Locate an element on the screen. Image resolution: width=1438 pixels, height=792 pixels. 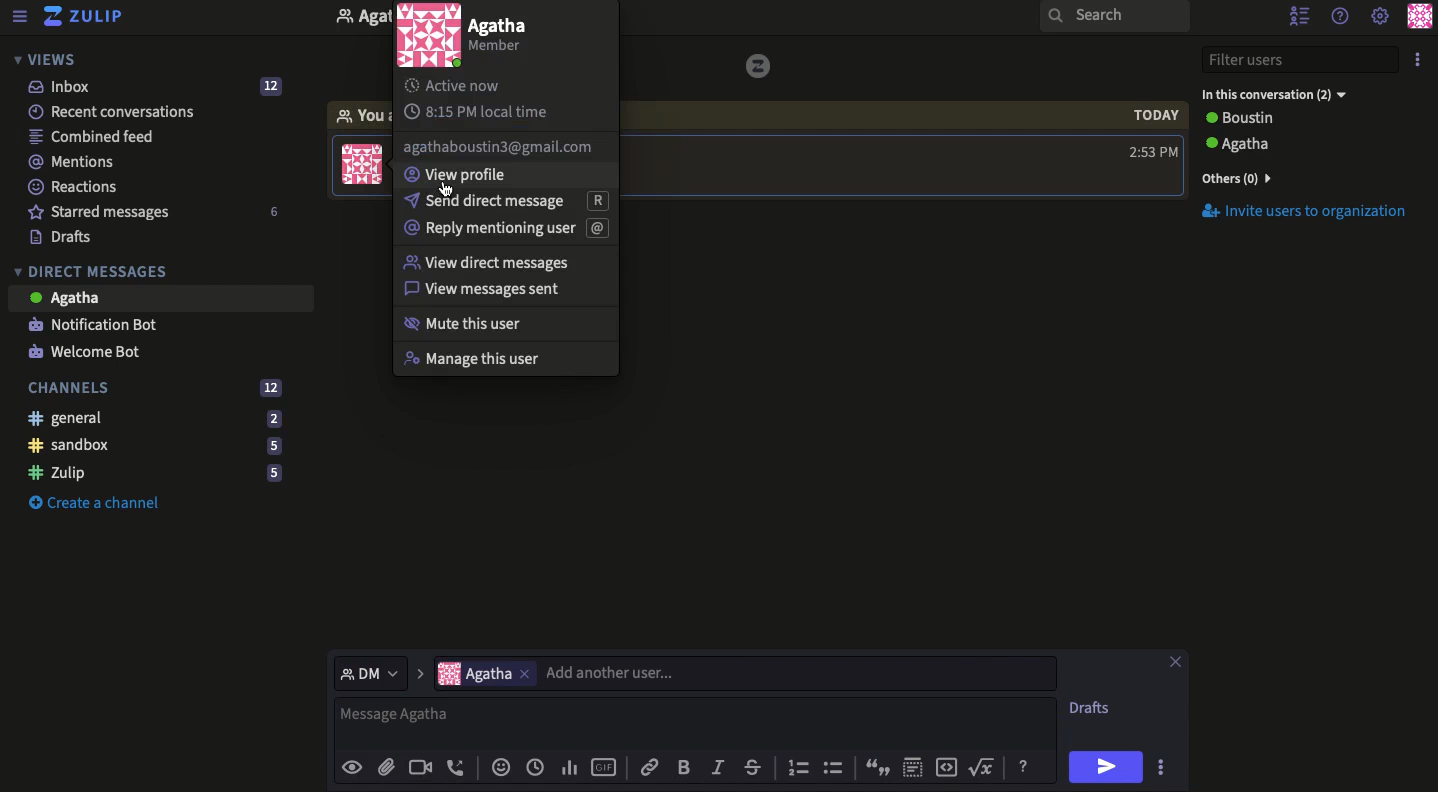
users and status is located at coordinates (1277, 144).